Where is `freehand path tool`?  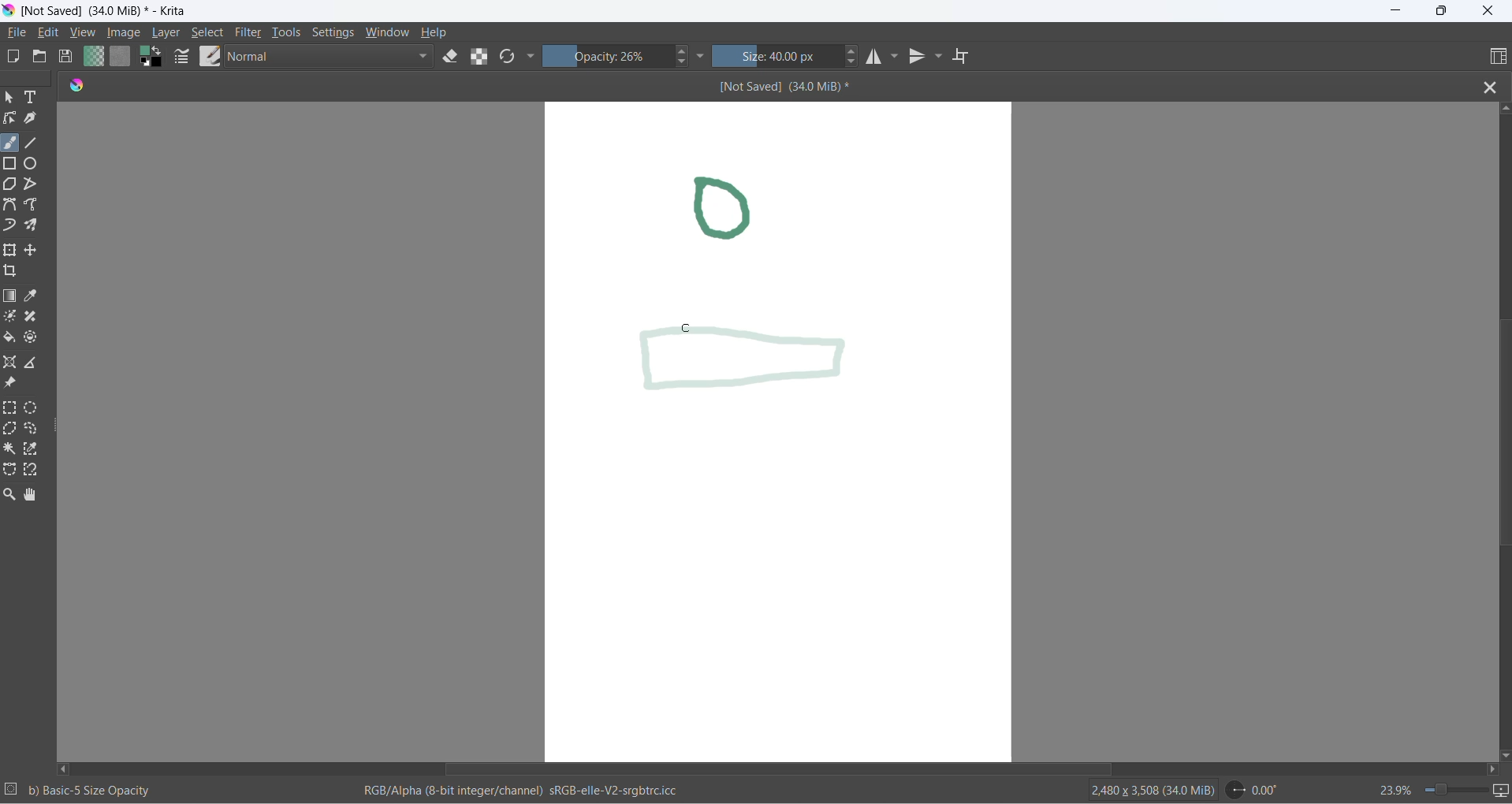
freehand path tool is located at coordinates (37, 205).